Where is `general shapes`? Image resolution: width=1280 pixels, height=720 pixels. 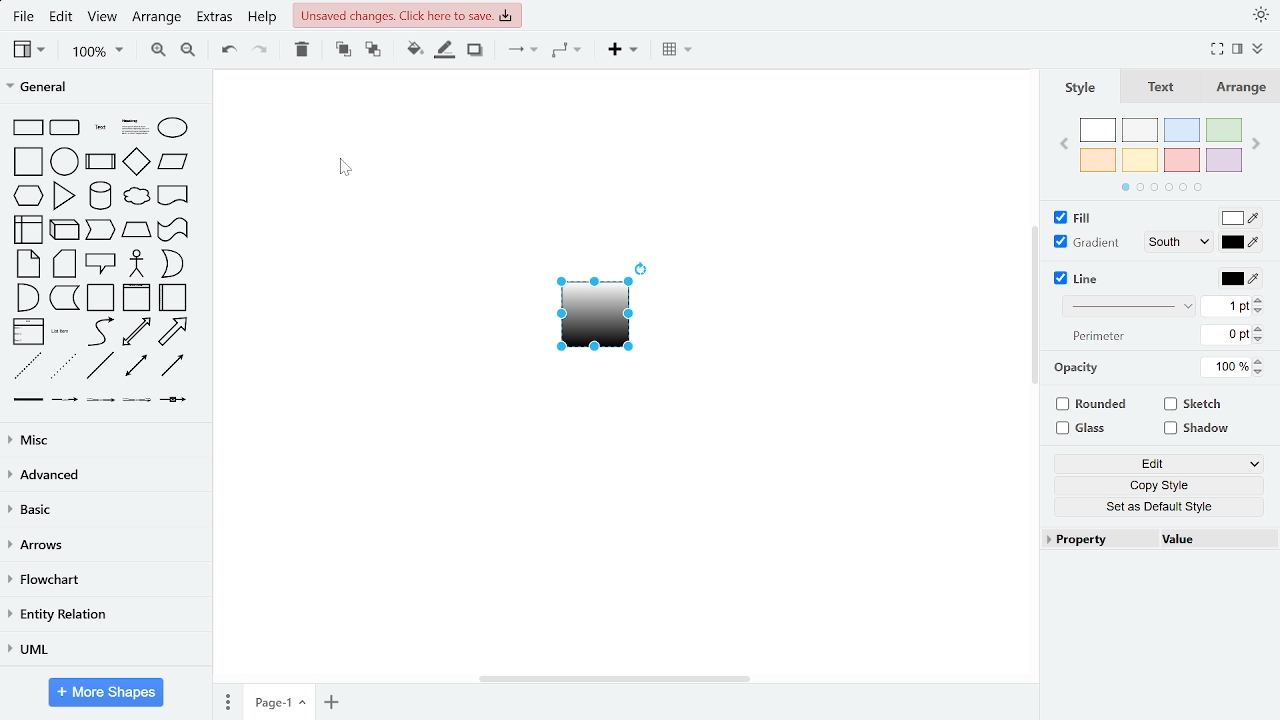
general shapes is located at coordinates (29, 263).